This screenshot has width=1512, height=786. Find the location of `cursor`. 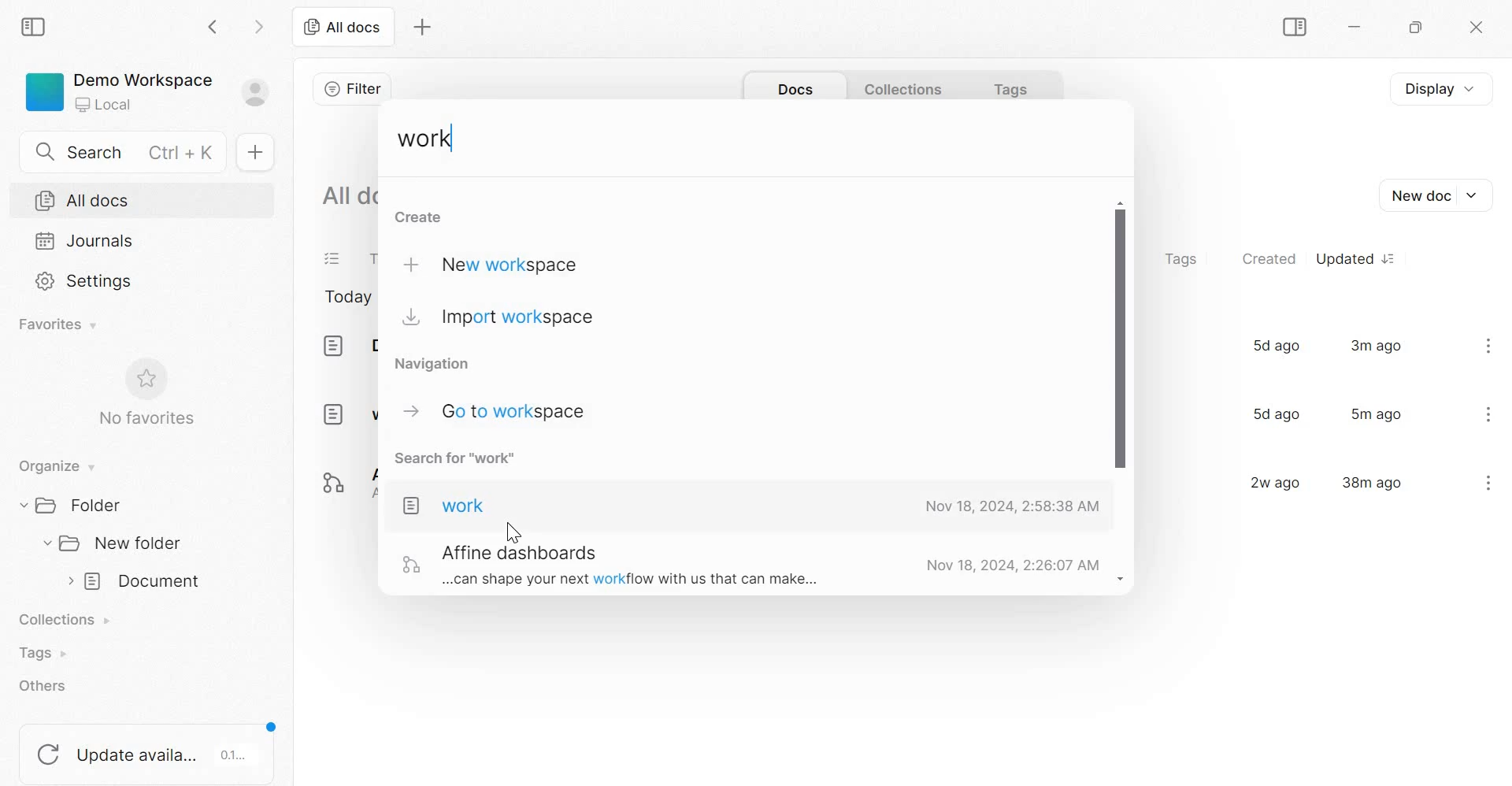

cursor is located at coordinates (513, 530).